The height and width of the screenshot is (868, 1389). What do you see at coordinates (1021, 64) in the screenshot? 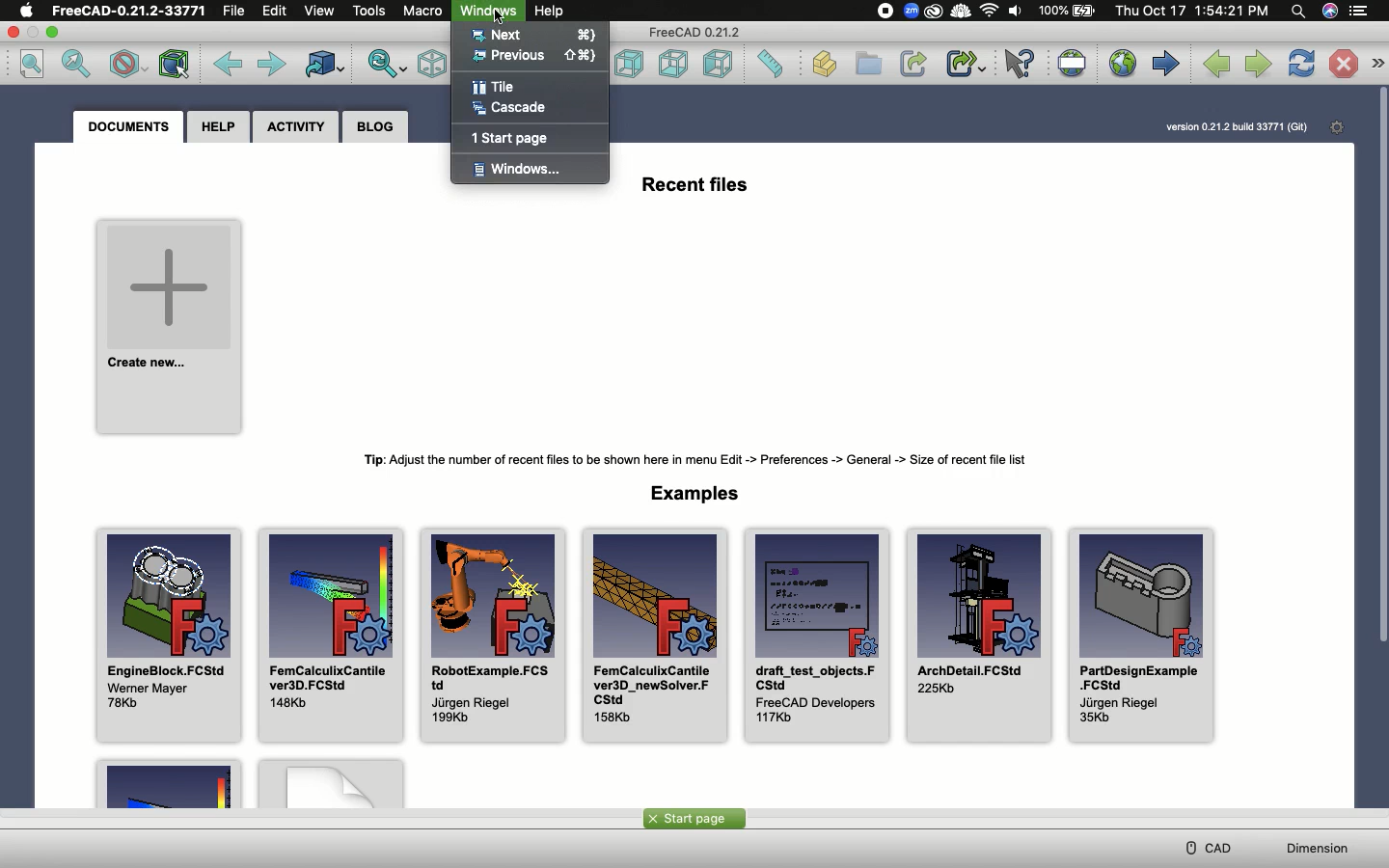
I see `What's this?` at bounding box center [1021, 64].